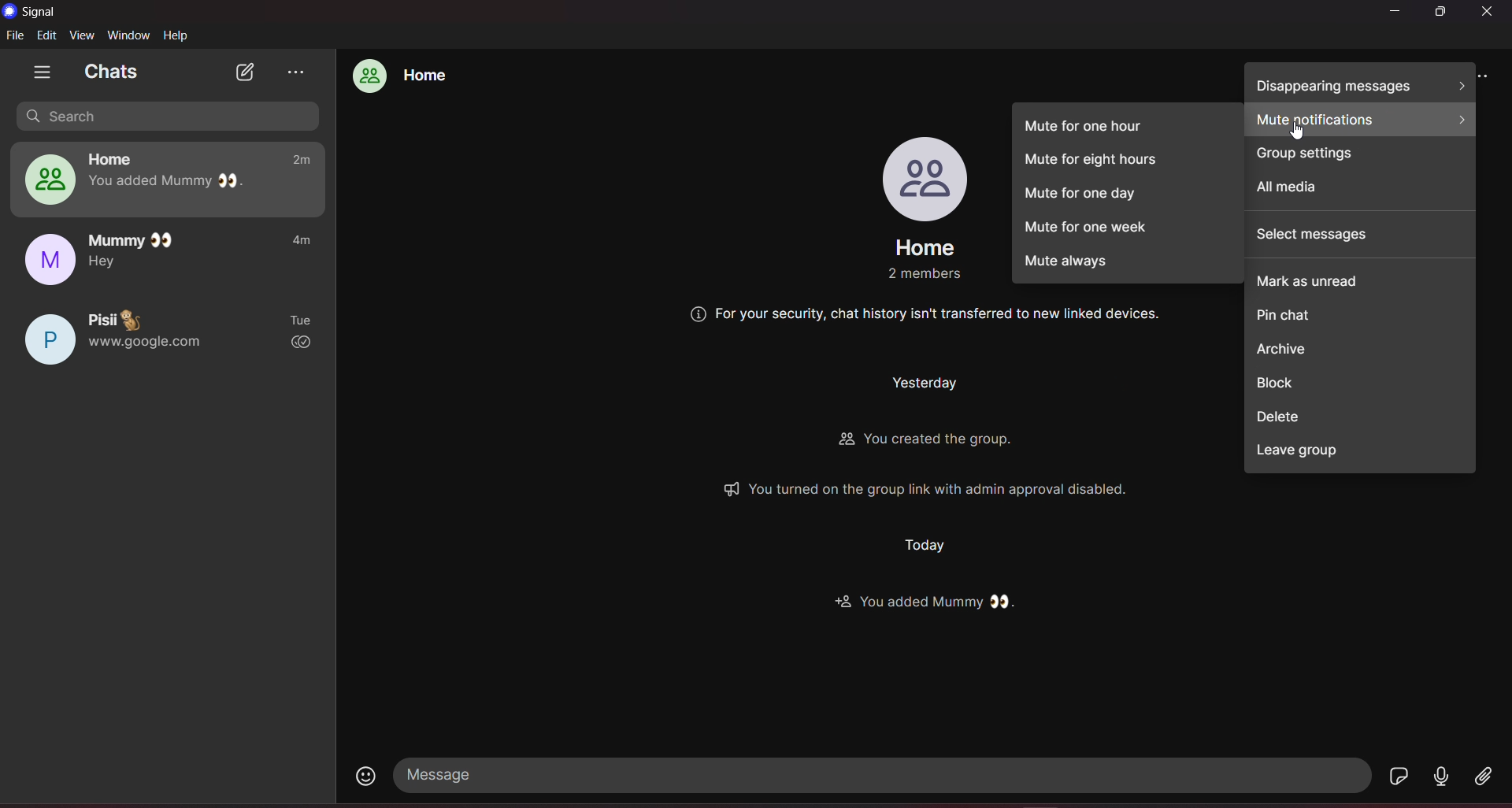 The image size is (1512, 808). I want to click on mute for one hour, so click(1127, 124).